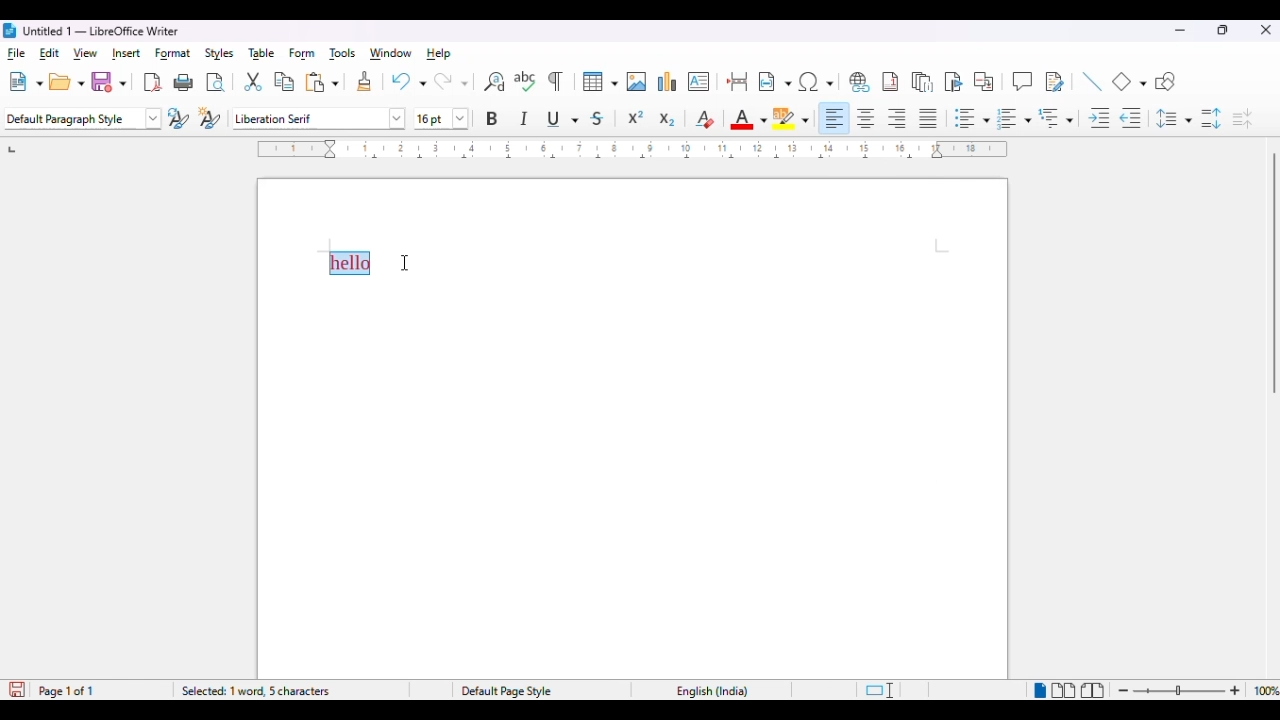 This screenshot has width=1280, height=720. Describe the element at coordinates (450, 81) in the screenshot. I see `redo` at that location.